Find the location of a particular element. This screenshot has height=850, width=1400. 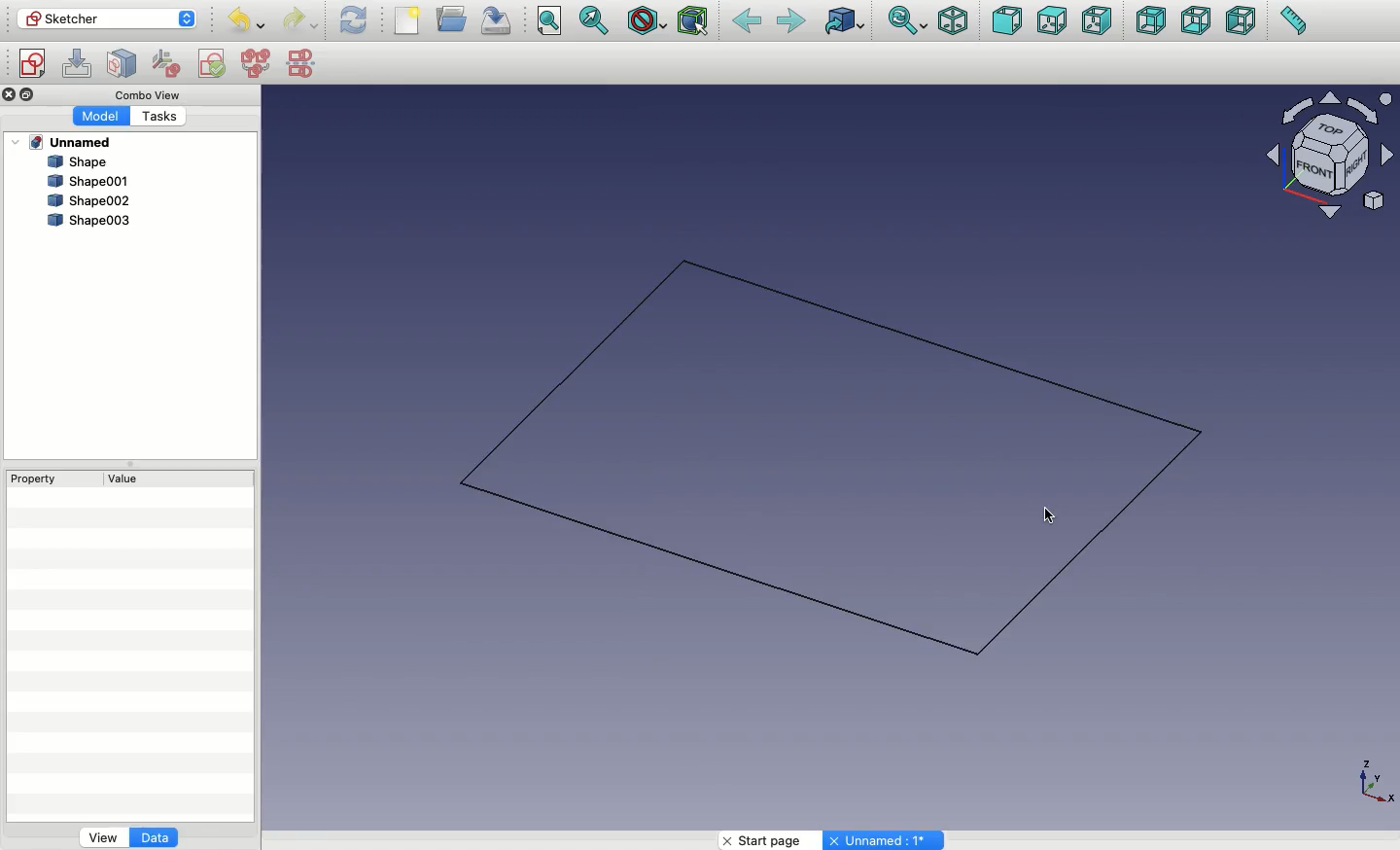

Isometric is located at coordinates (952, 21).